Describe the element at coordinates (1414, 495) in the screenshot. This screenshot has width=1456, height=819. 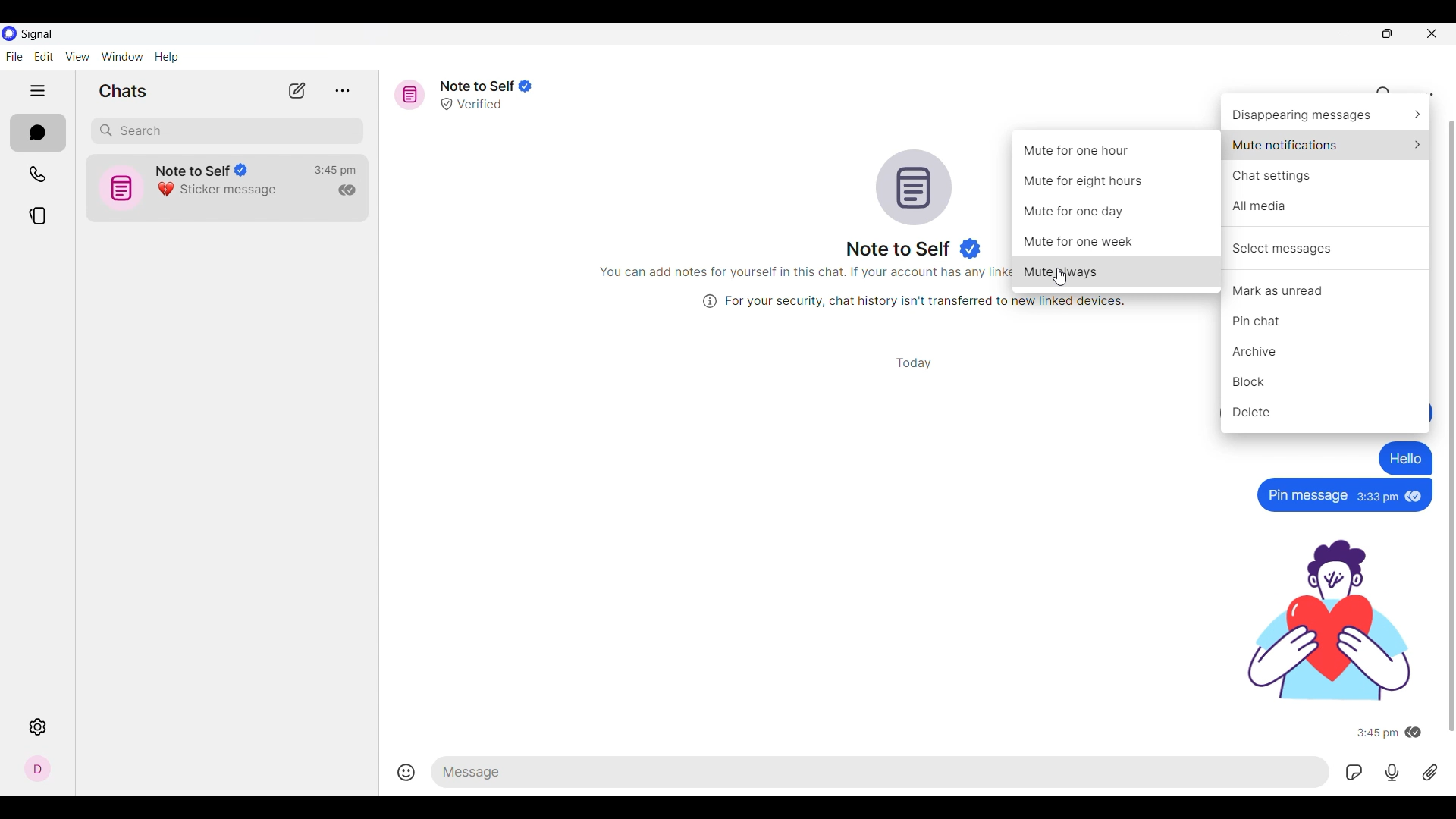
I see `seen` at that location.